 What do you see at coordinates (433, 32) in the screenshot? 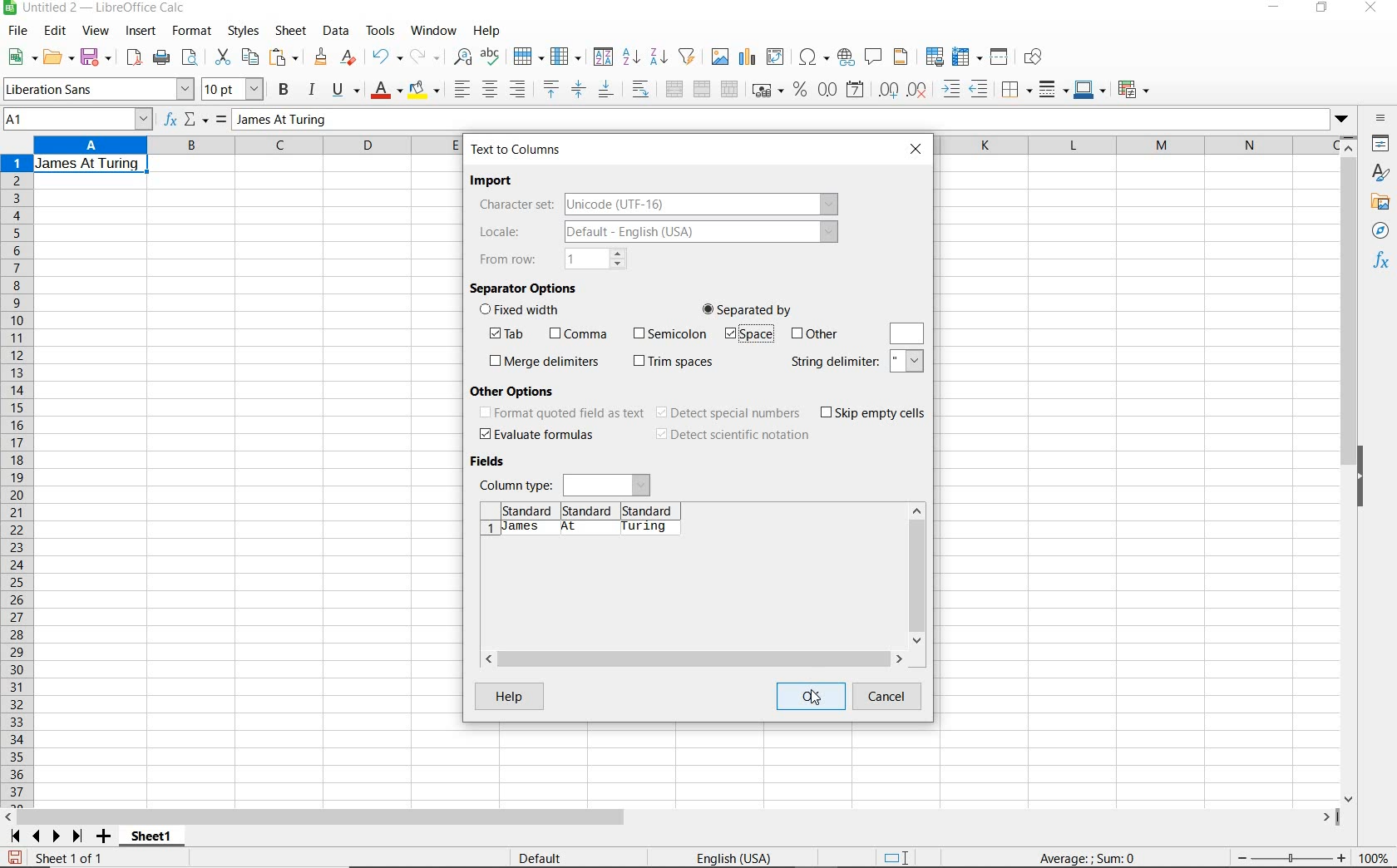
I see `window` at bounding box center [433, 32].